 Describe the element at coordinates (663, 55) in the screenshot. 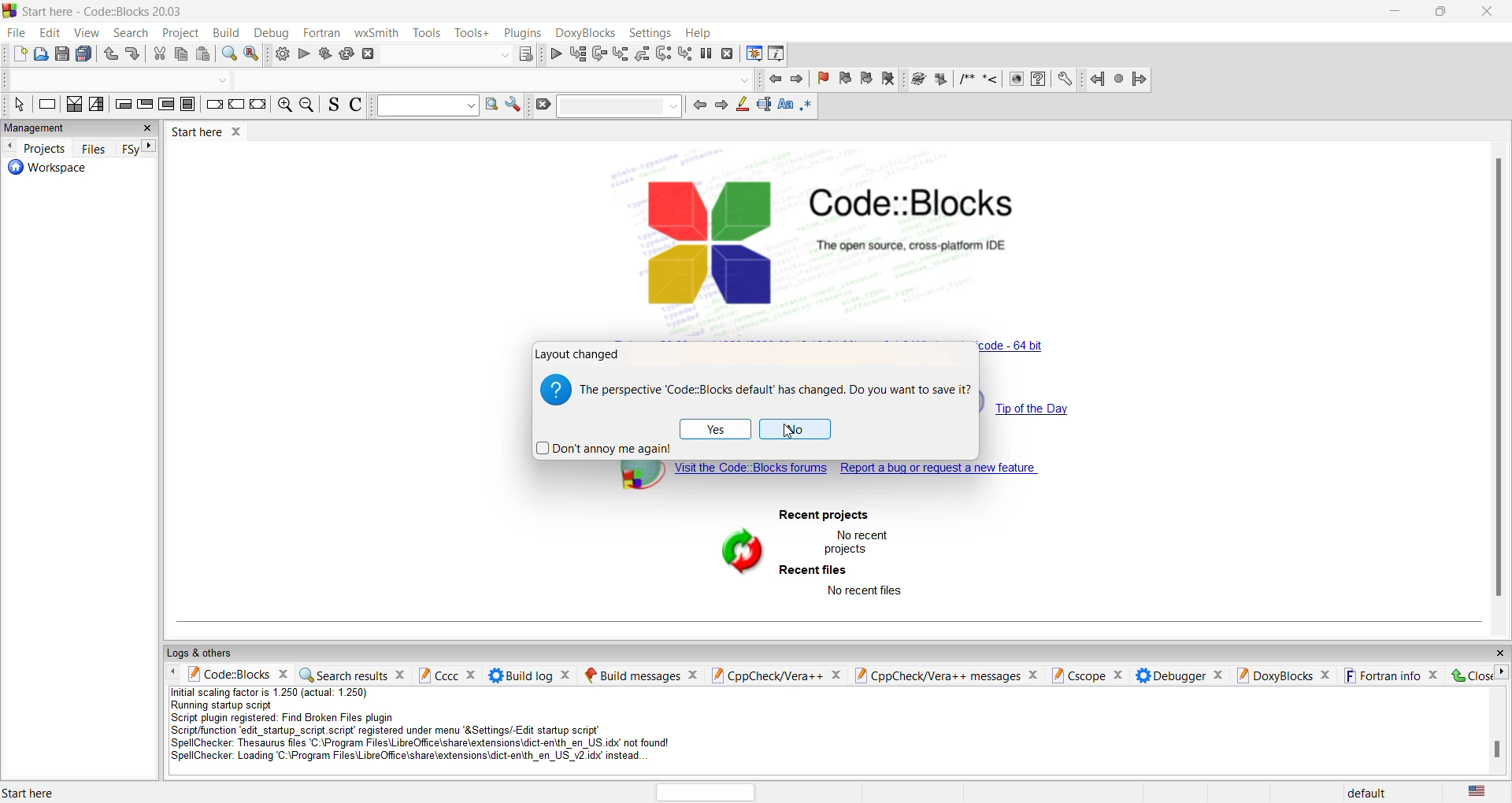

I see `next instruction` at that location.